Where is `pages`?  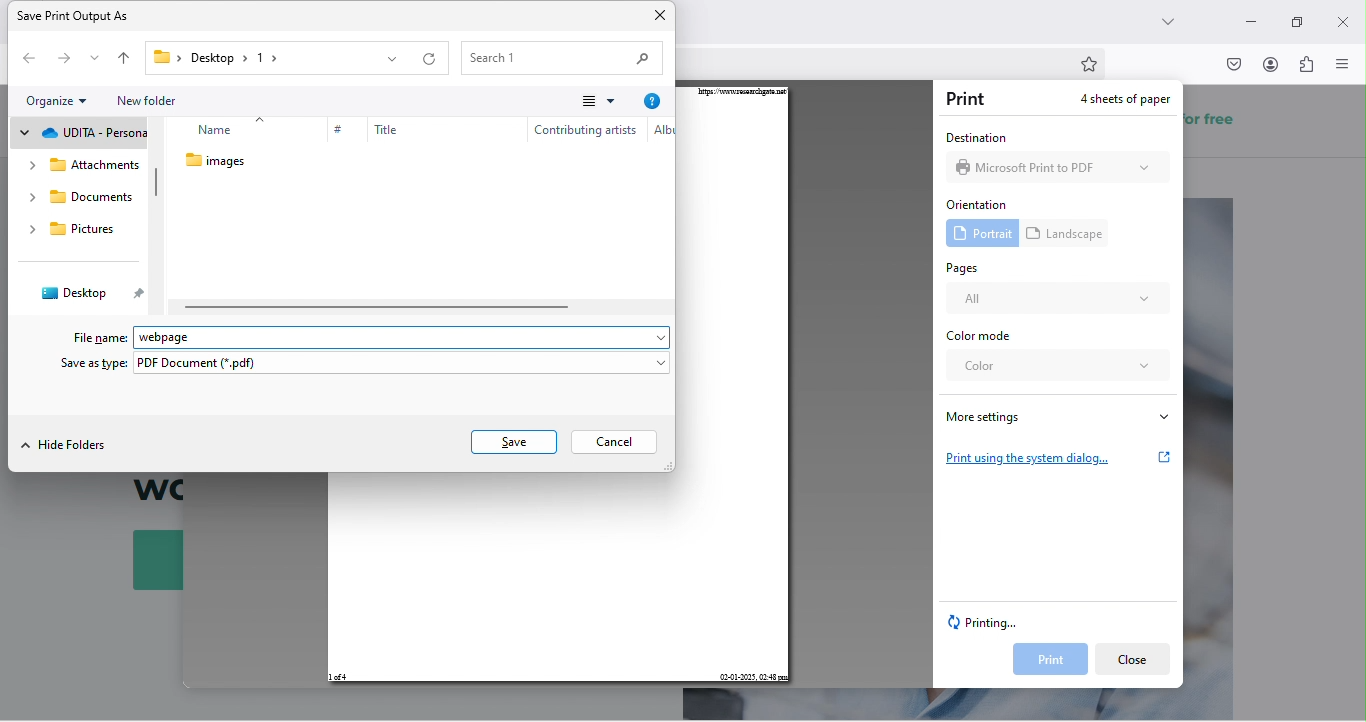 pages is located at coordinates (969, 268).